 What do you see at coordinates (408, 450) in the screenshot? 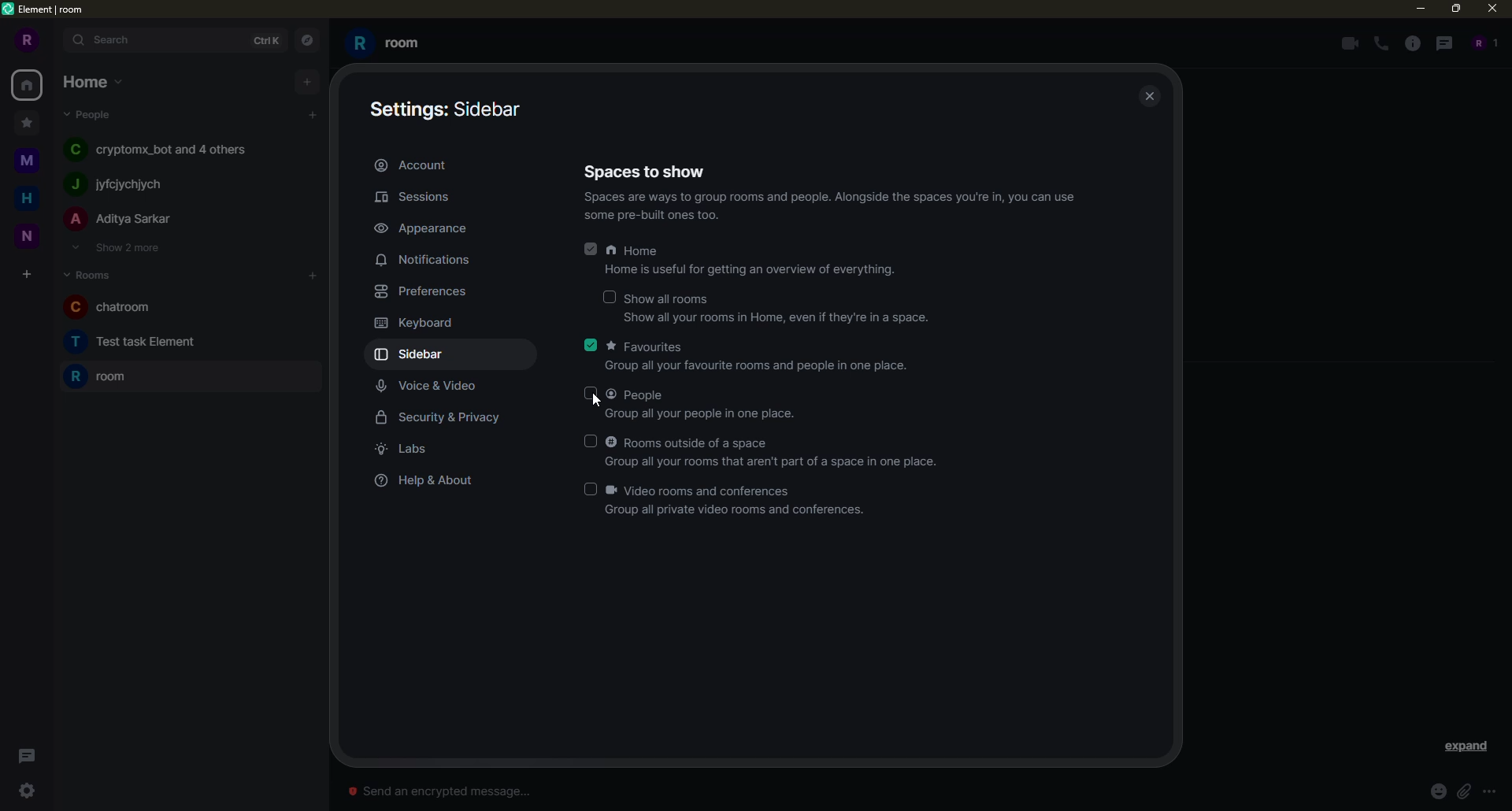
I see `labs` at bounding box center [408, 450].